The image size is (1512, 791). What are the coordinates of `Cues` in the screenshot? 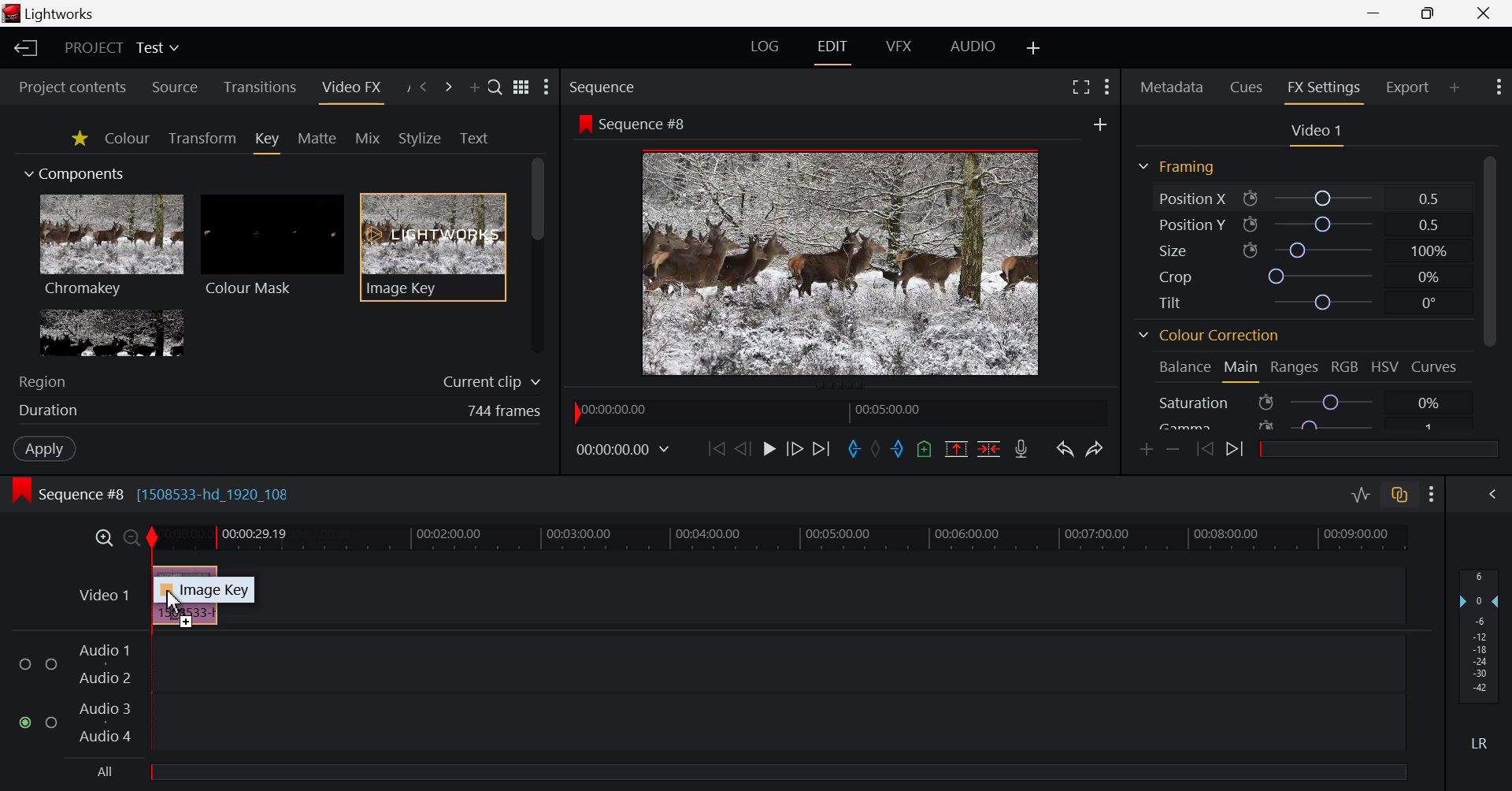 It's located at (1243, 87).